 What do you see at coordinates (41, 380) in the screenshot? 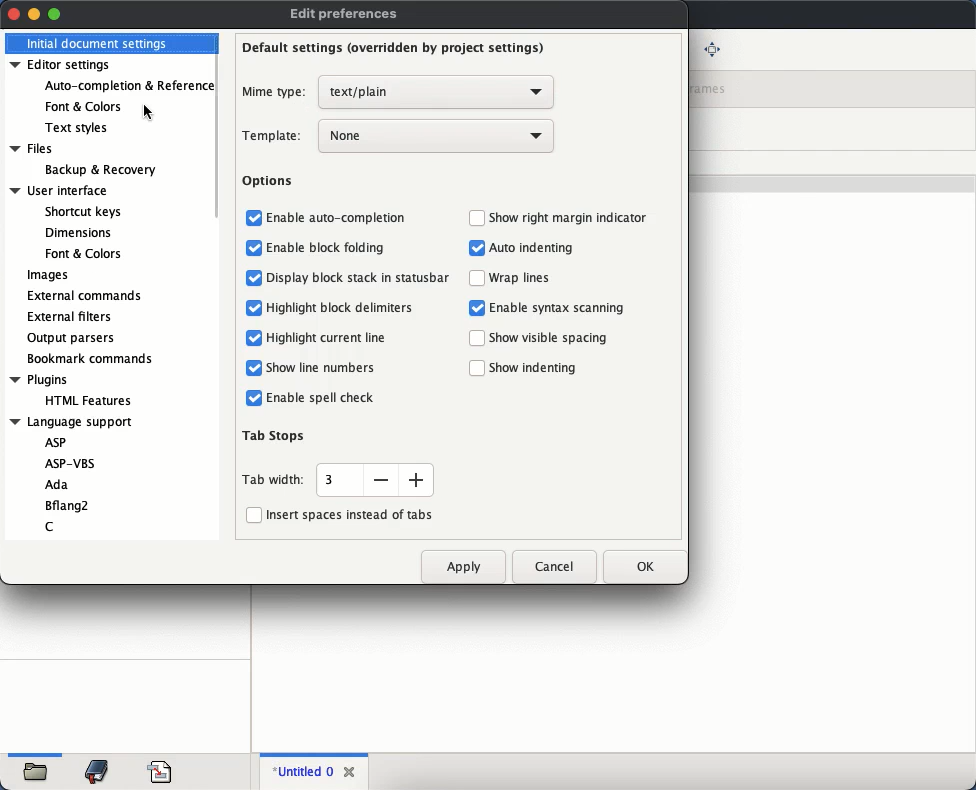
I see `plugins` at bounding box center [41, 380].